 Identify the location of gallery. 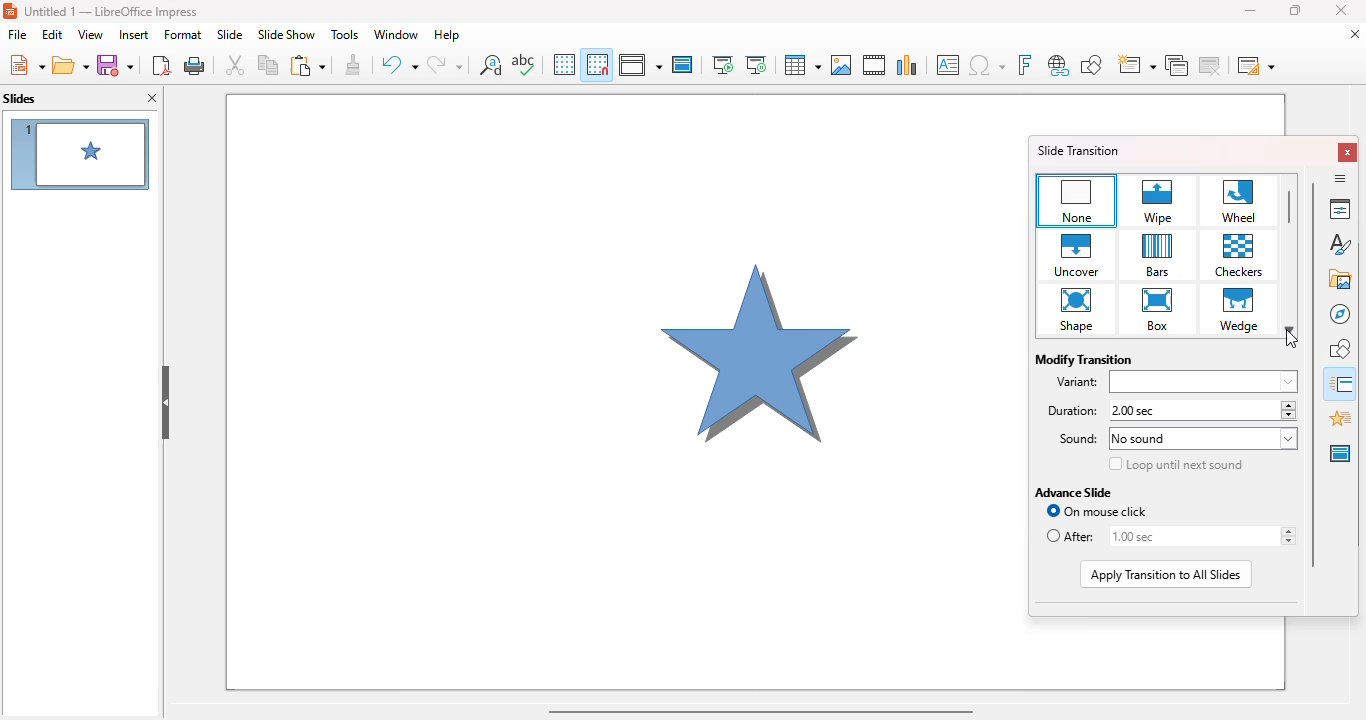
(1341, 278).